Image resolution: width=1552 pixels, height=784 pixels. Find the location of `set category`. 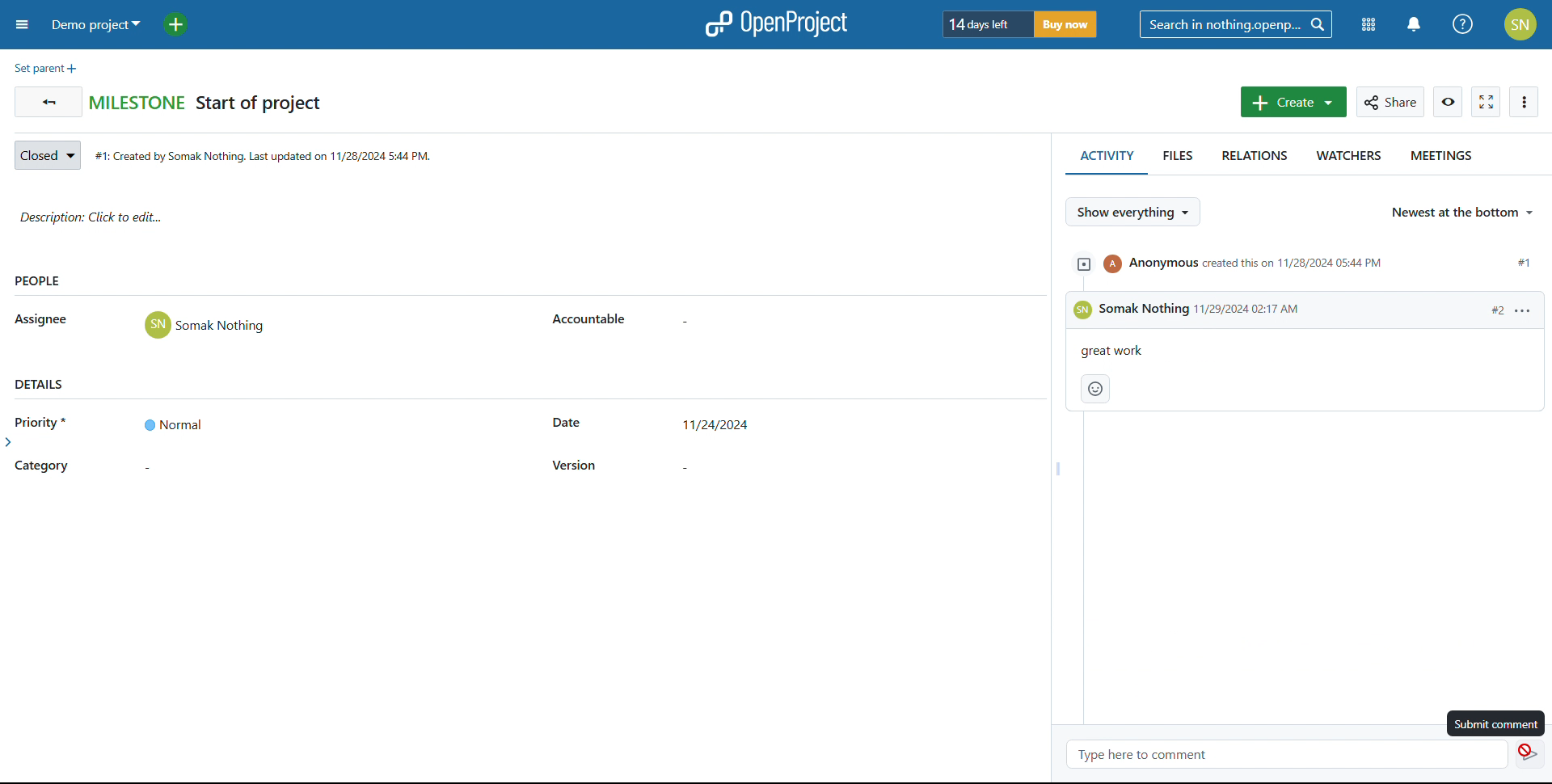

set category is located at coordinates (172, 469).